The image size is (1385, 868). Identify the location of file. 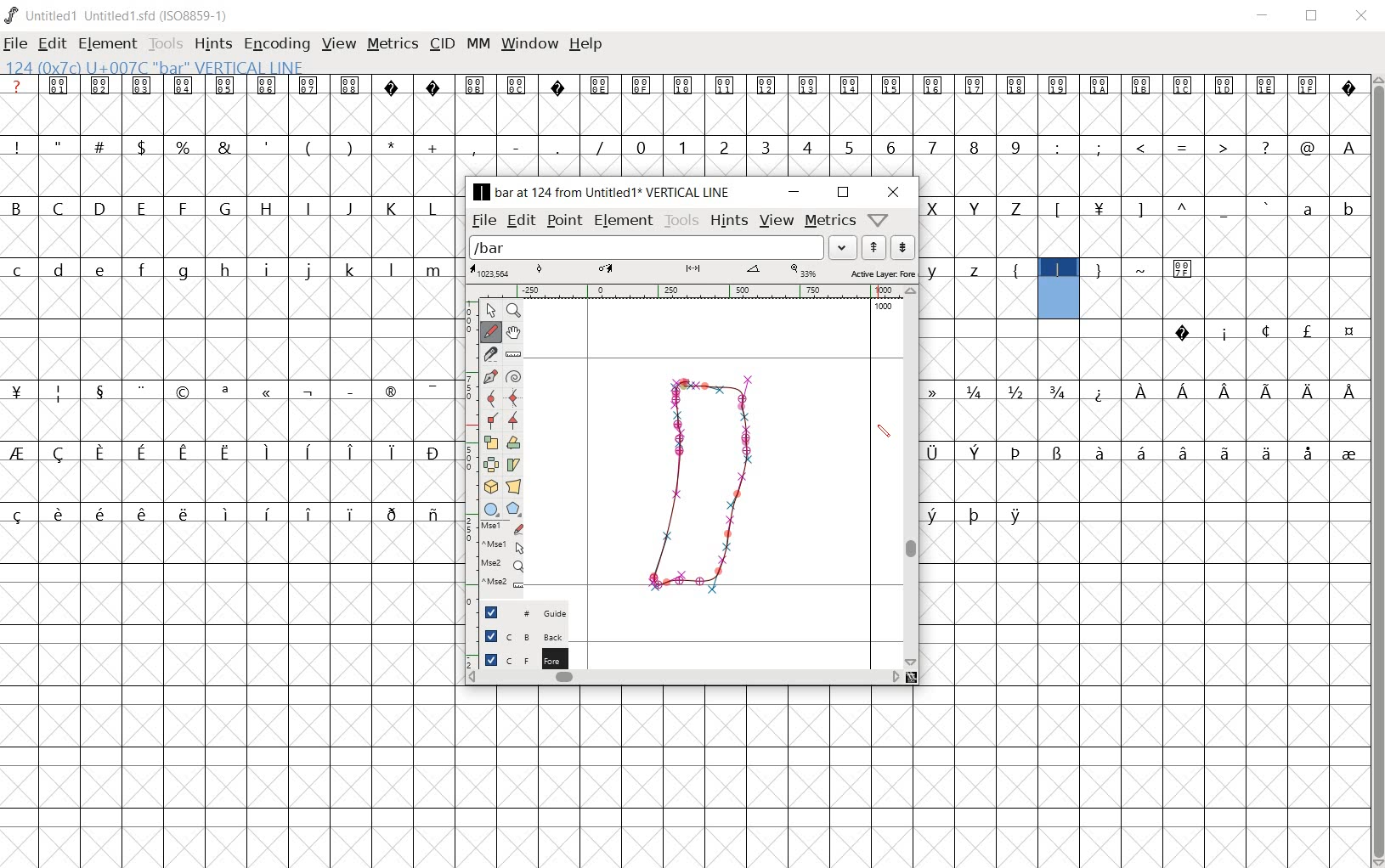
(14, 45).